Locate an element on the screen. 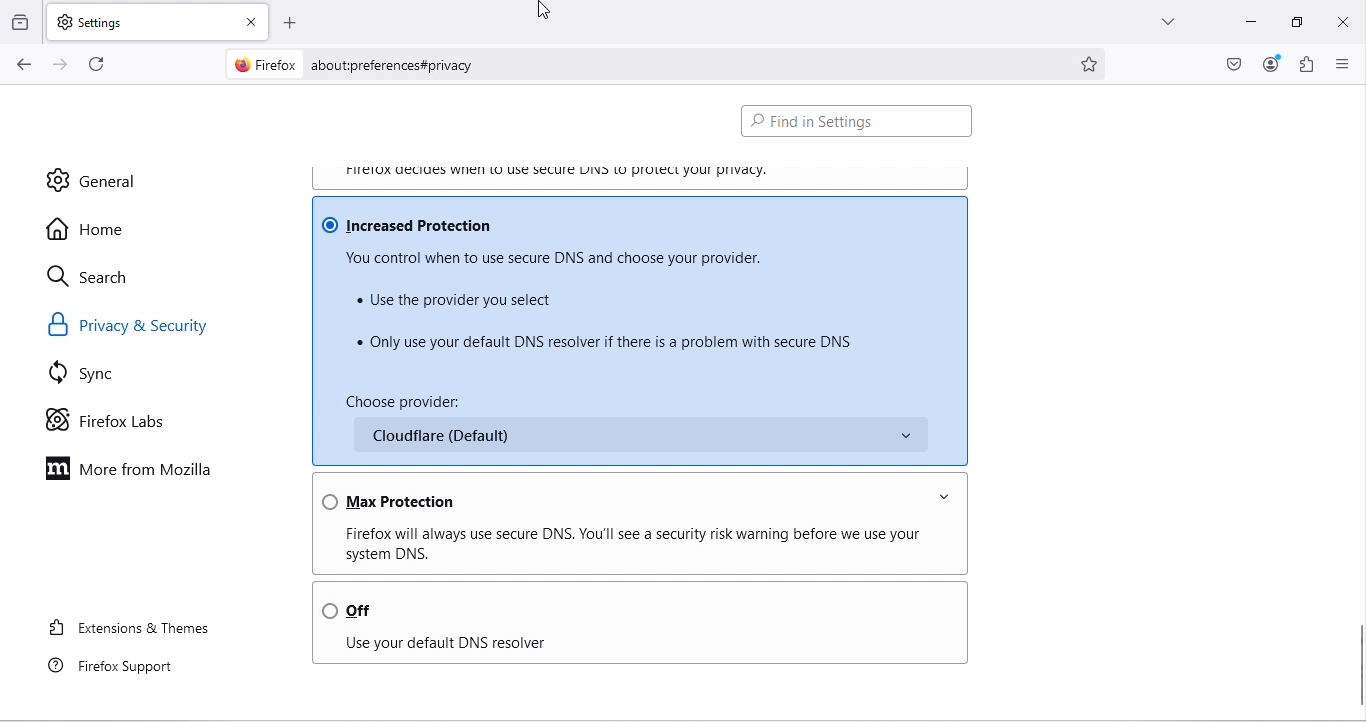 The height and width of the screenshot is (722, 1366). Go back one page is located at coordinates (21, 65).